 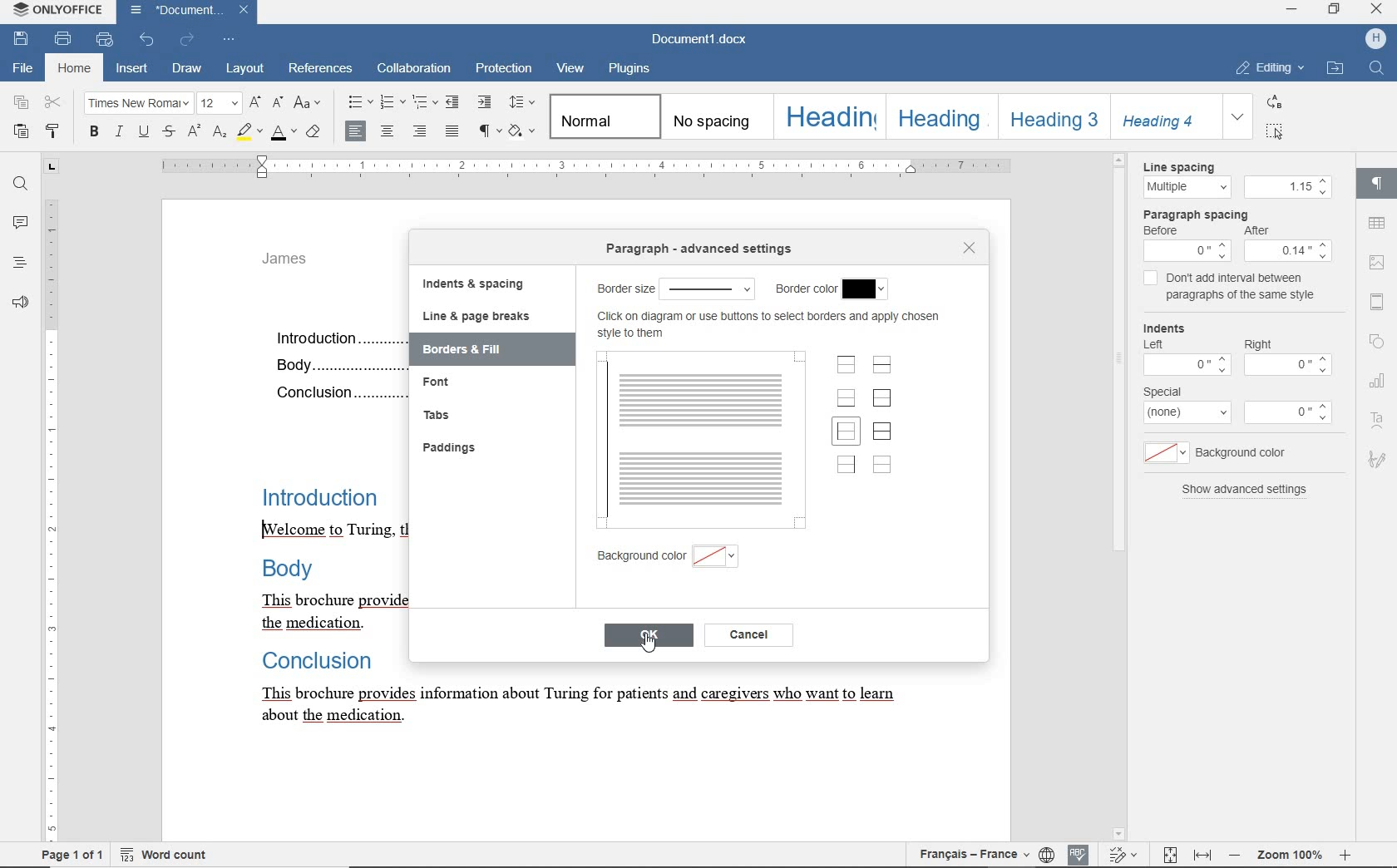 What do you see at coordinates (749, 635) in the screenshot?
I see `cancel` at bounding box center [749, 635].